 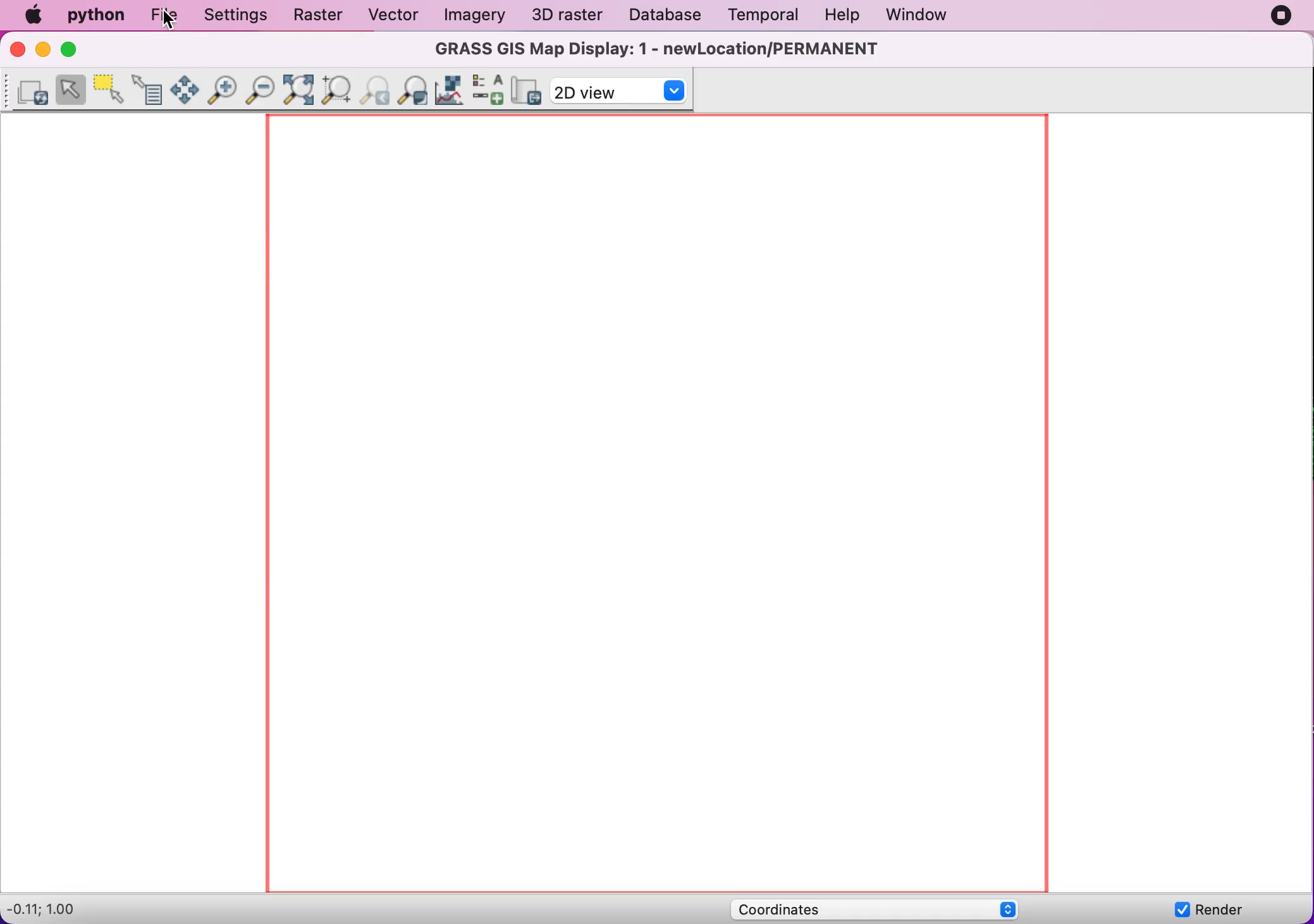 What do you see at coordinates (71, 88) in the screenshot?
I see `Select features from vector map` at bounding box center [71, 88].